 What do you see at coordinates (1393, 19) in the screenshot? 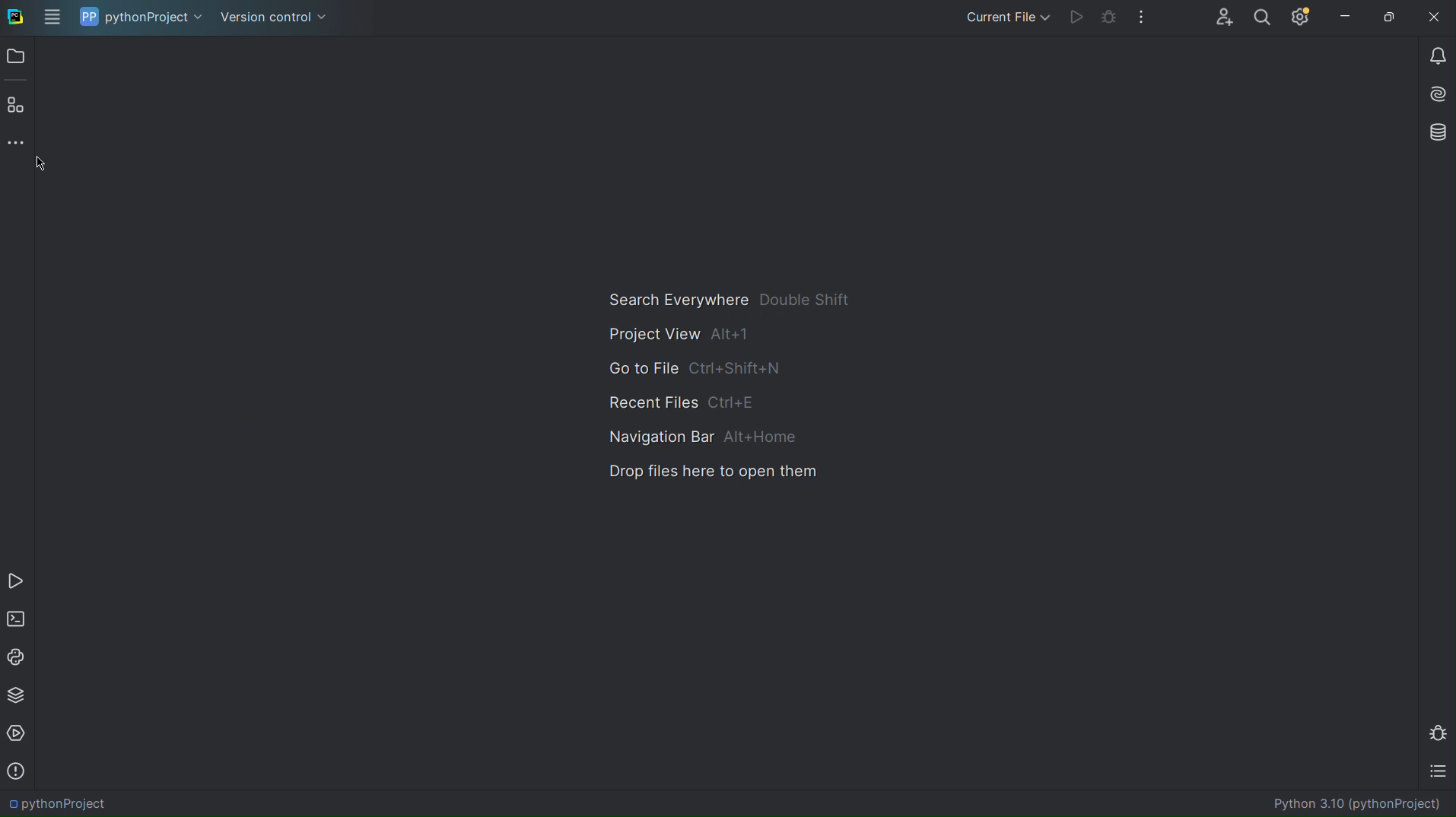
I see `Maximize` at bounding box center [1393, 19].